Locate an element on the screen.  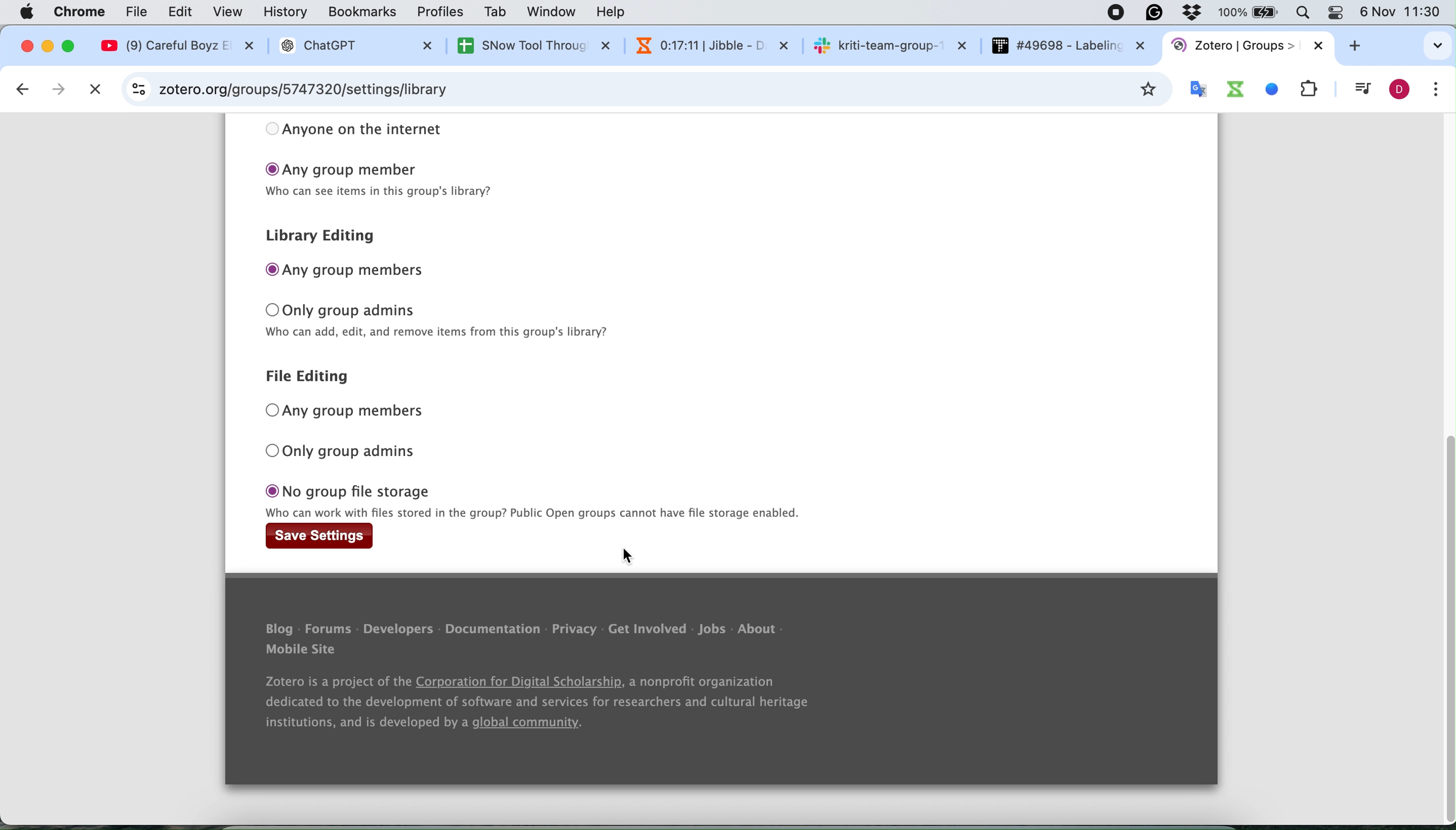
edit is located at coordinates (184, 11).